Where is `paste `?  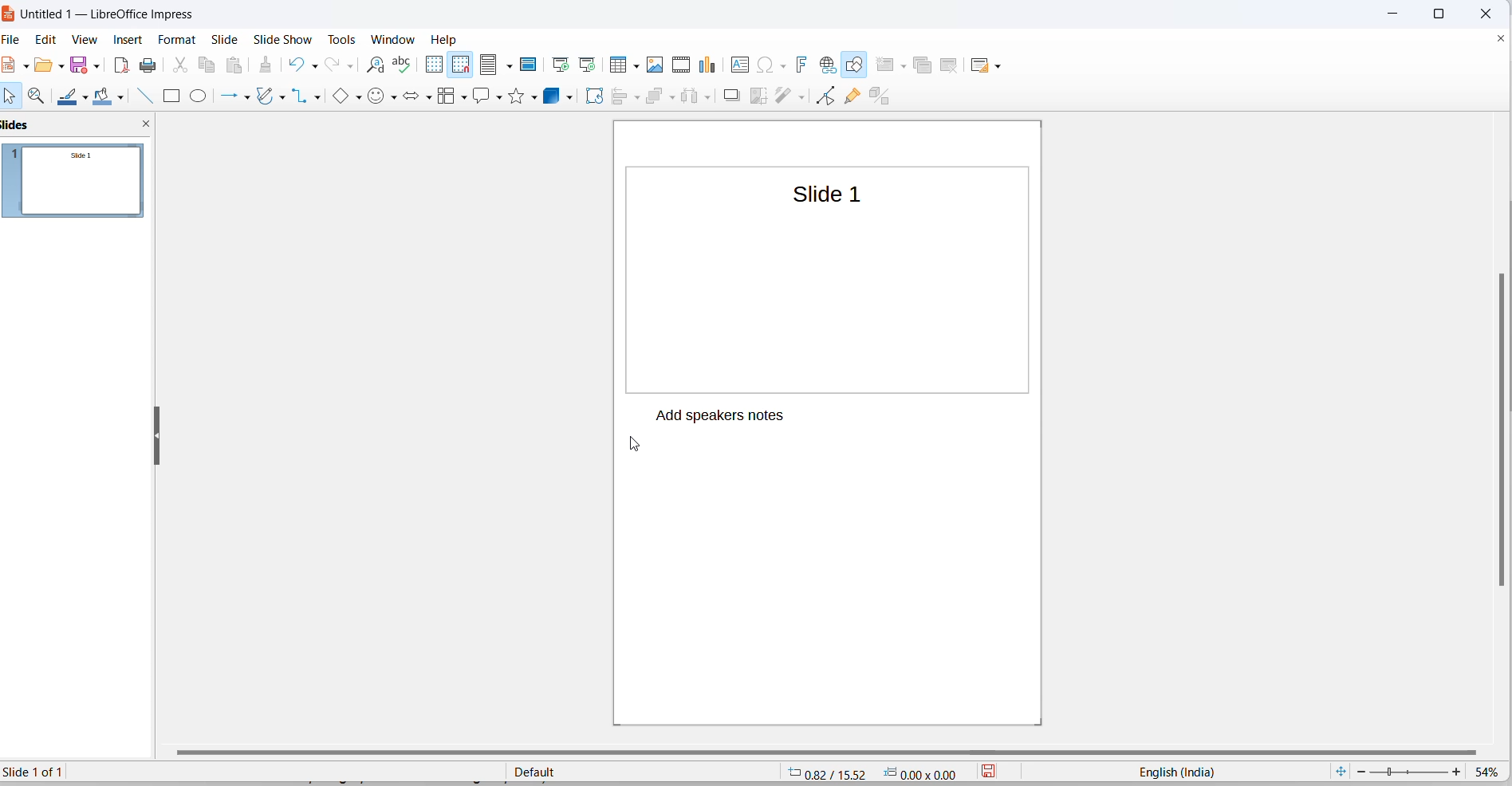 paste  is located at coordinates (238, 65).